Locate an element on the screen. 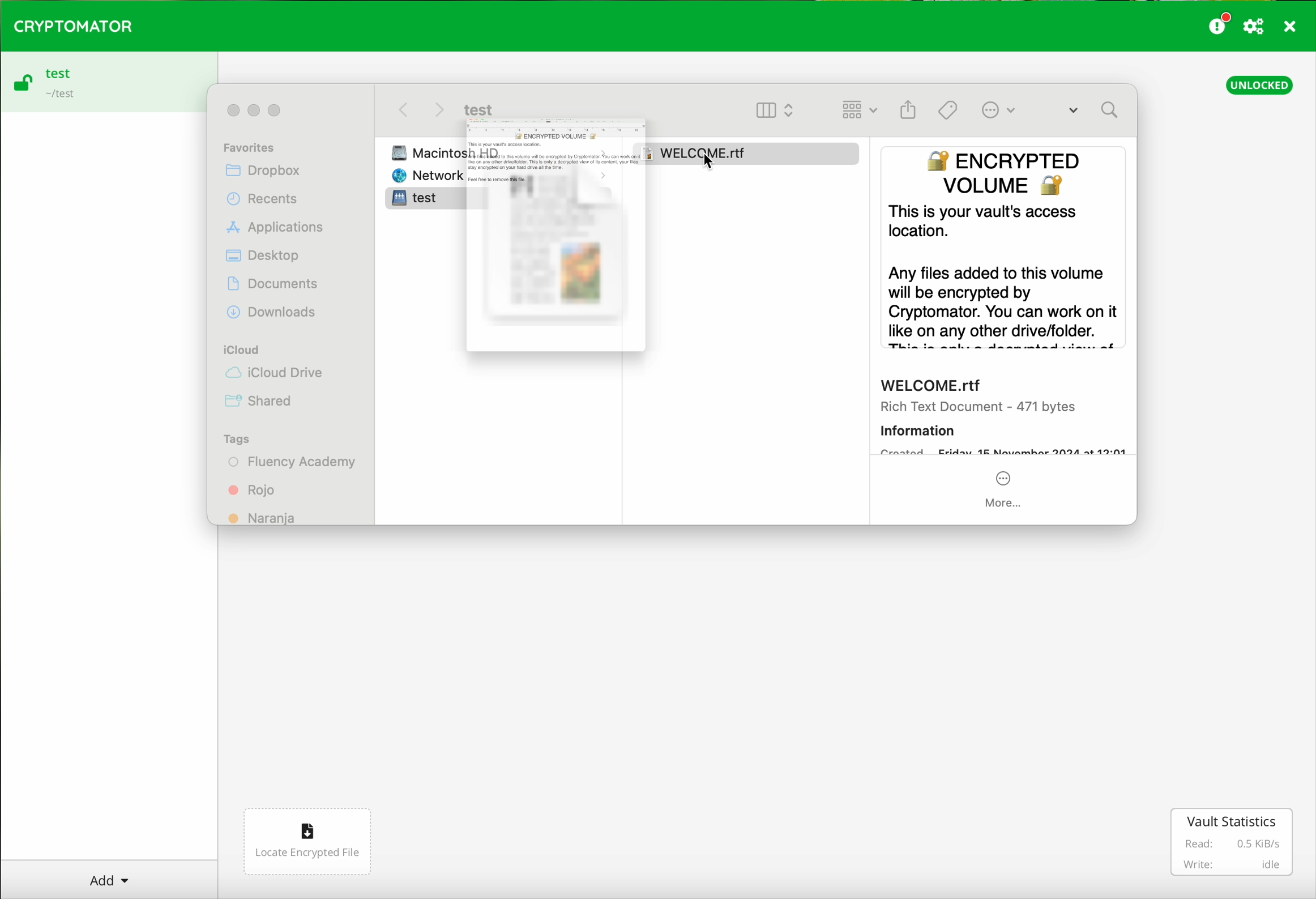 Image resolution: width=1316 pixels, height=899 pixels. test is located at coordinates (58, 73).